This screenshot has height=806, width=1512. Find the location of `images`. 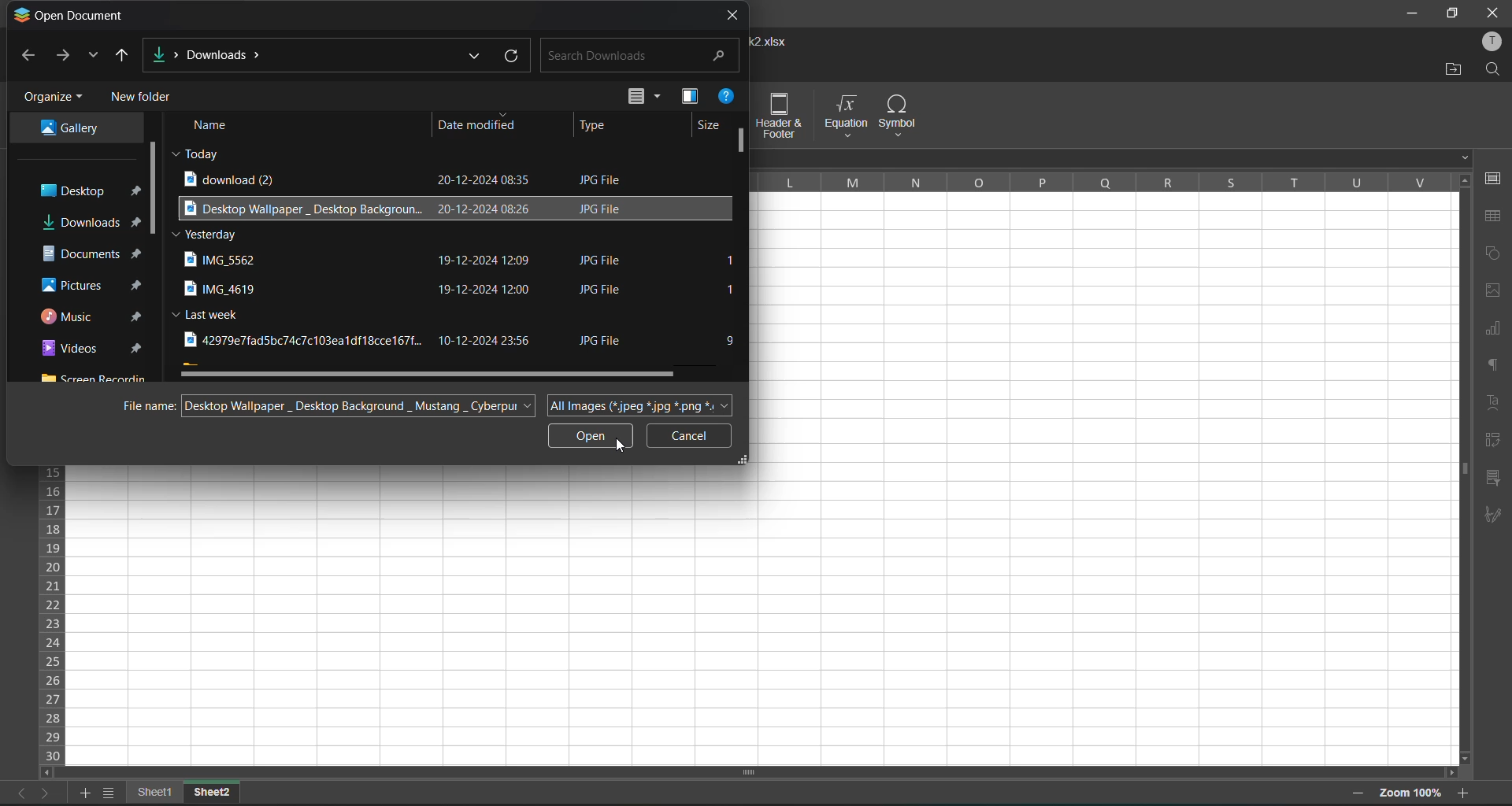

images is located at coordinates (1495, 289).